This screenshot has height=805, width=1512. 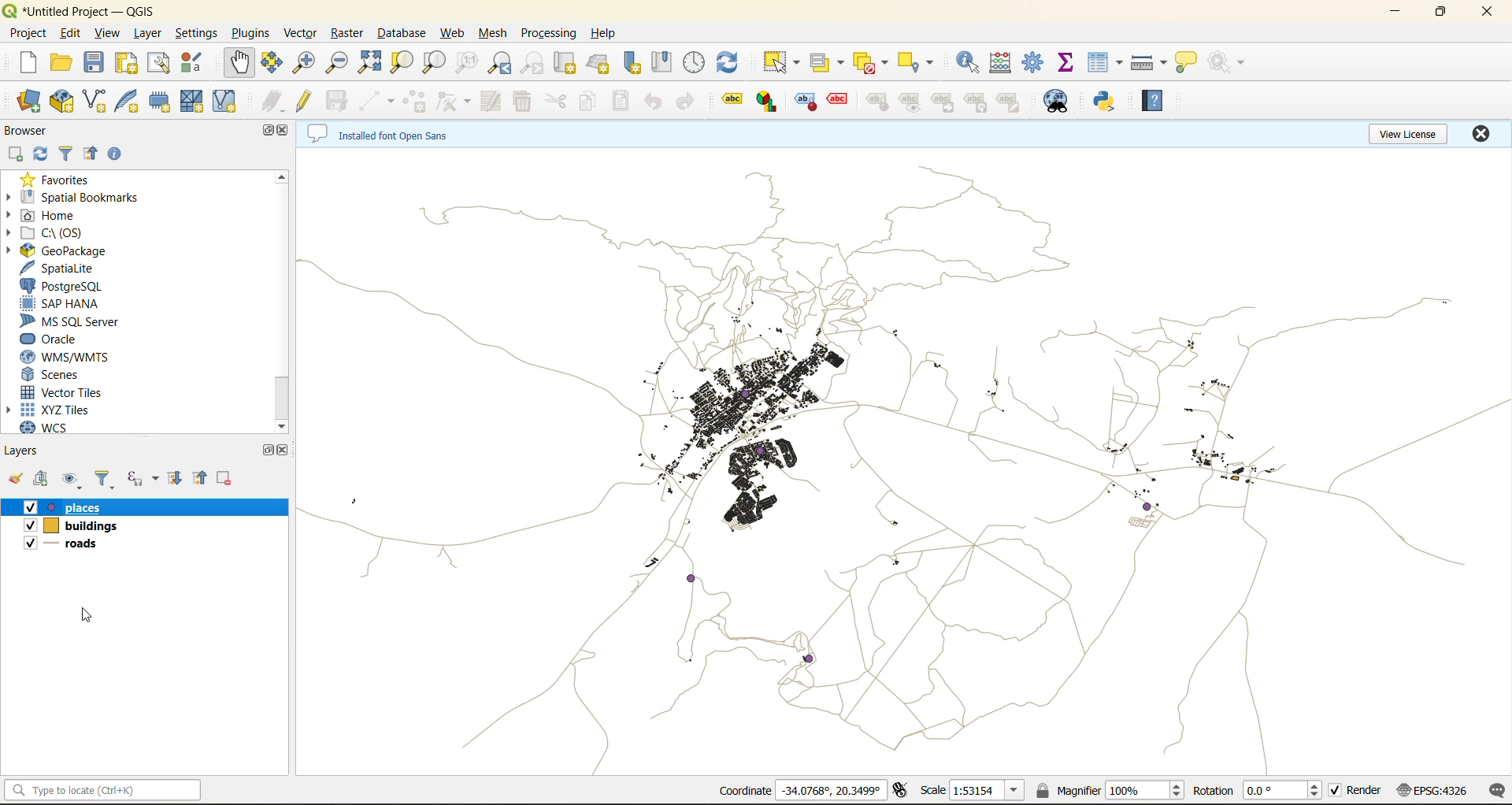 What do you see at coordinates (1151, 63) in the screenshot?
I see `measure line` at bounding box center [1151, 63].